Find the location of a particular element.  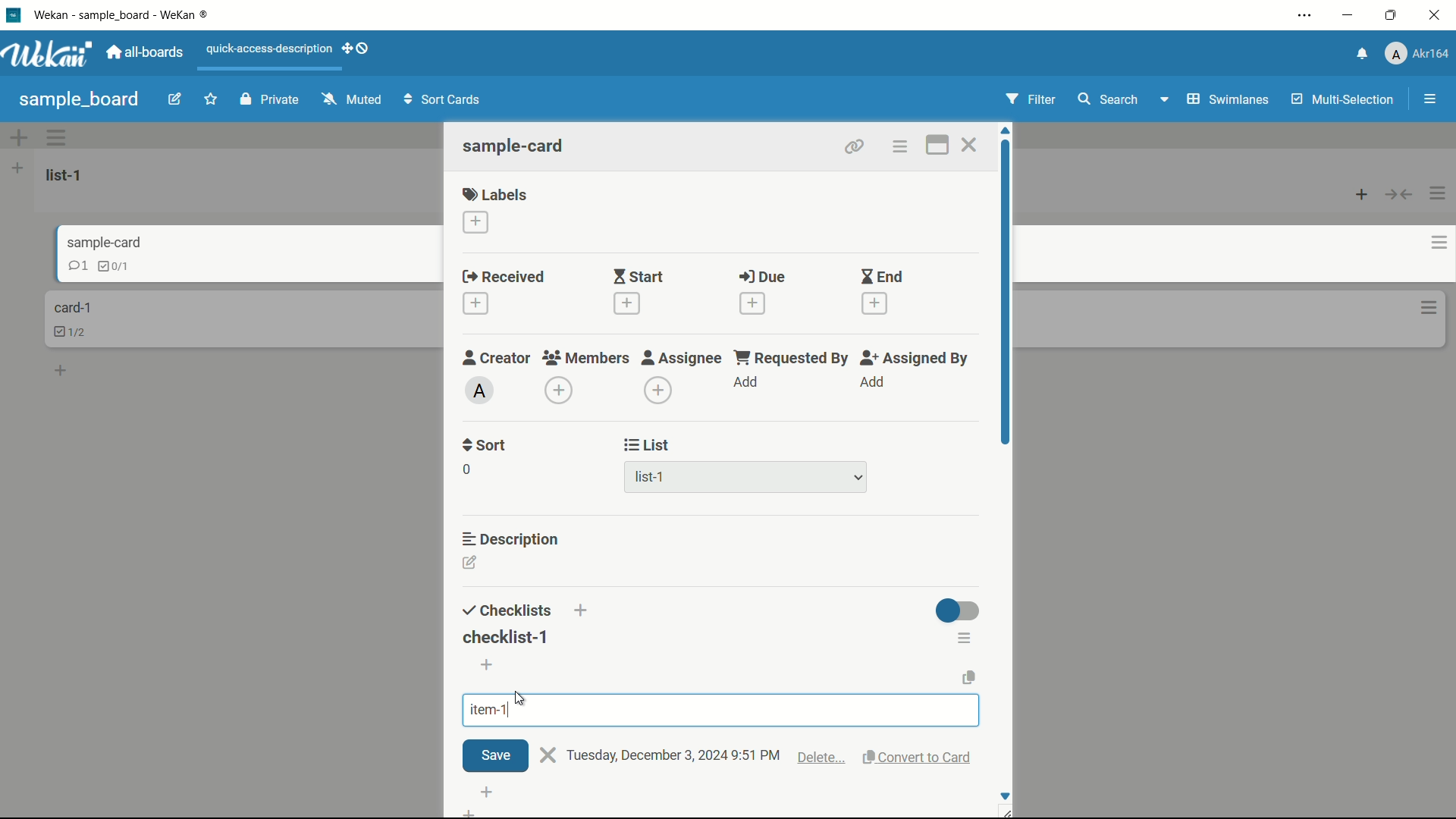

checklists is located at coordinates (508, 611).